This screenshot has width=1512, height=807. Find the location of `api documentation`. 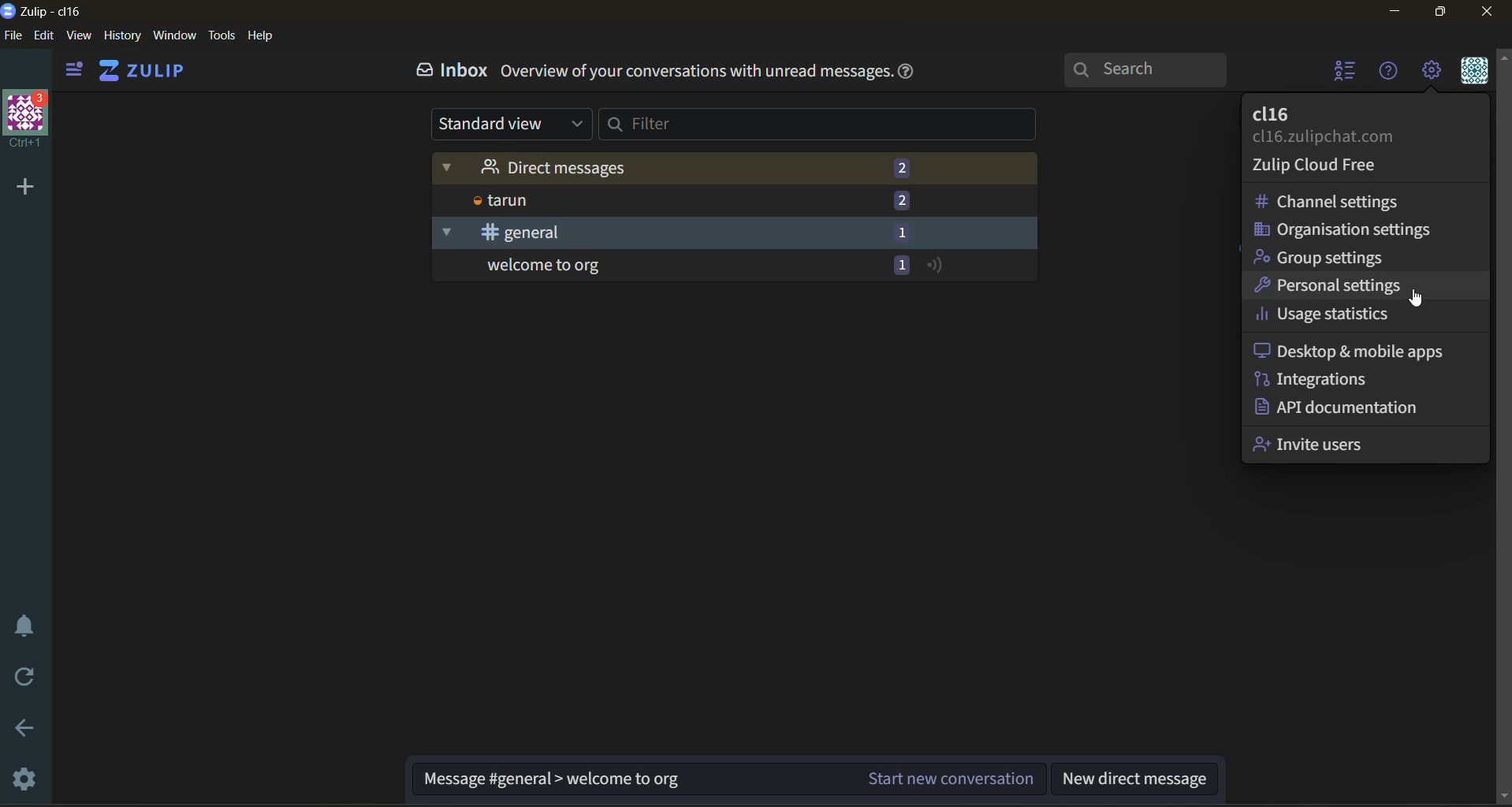

api documentation is located at coordinates (1367, 408).